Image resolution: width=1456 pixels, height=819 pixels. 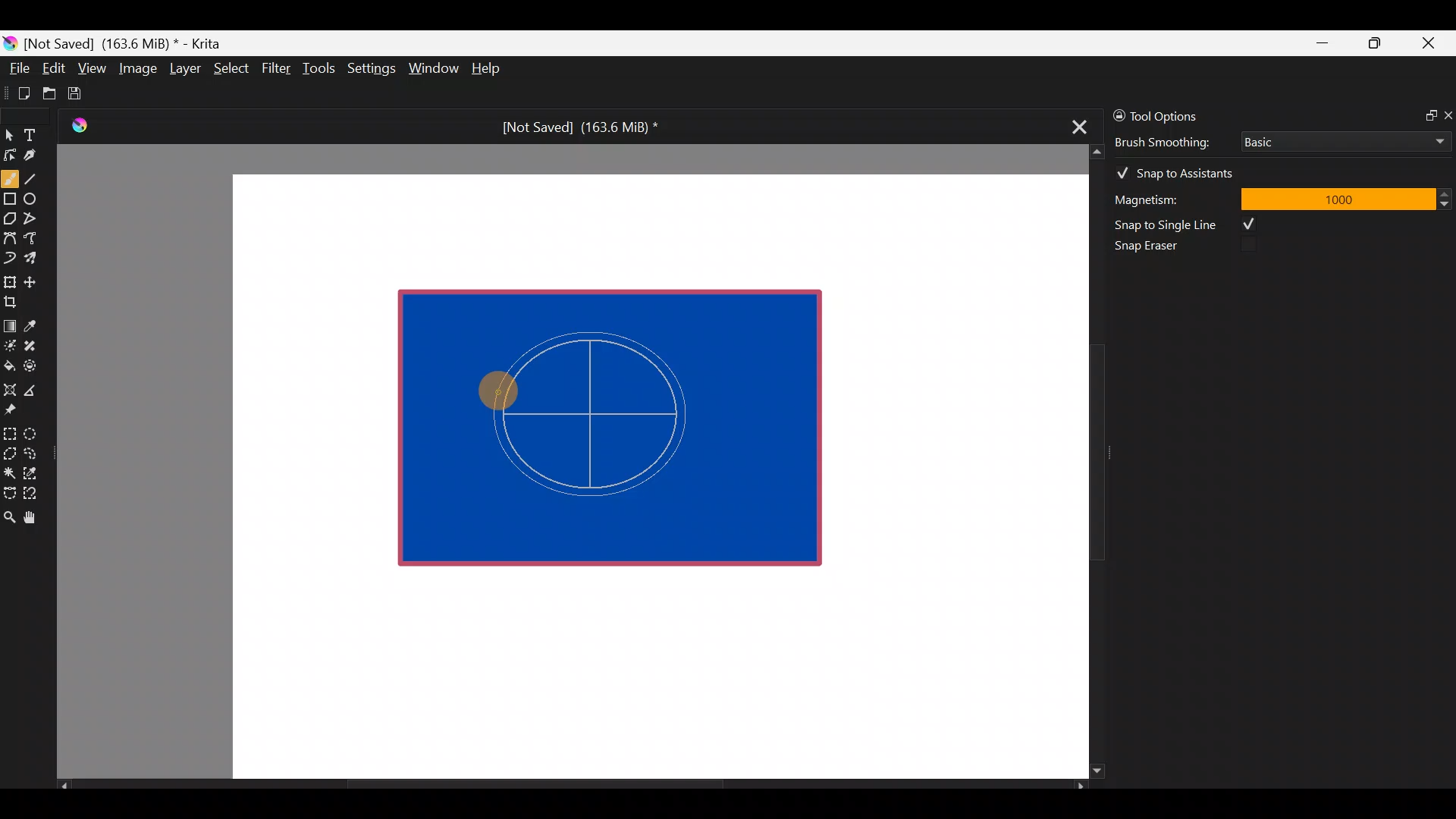 I want to click on Elliptical selection tool, so click(x=36, y=431).